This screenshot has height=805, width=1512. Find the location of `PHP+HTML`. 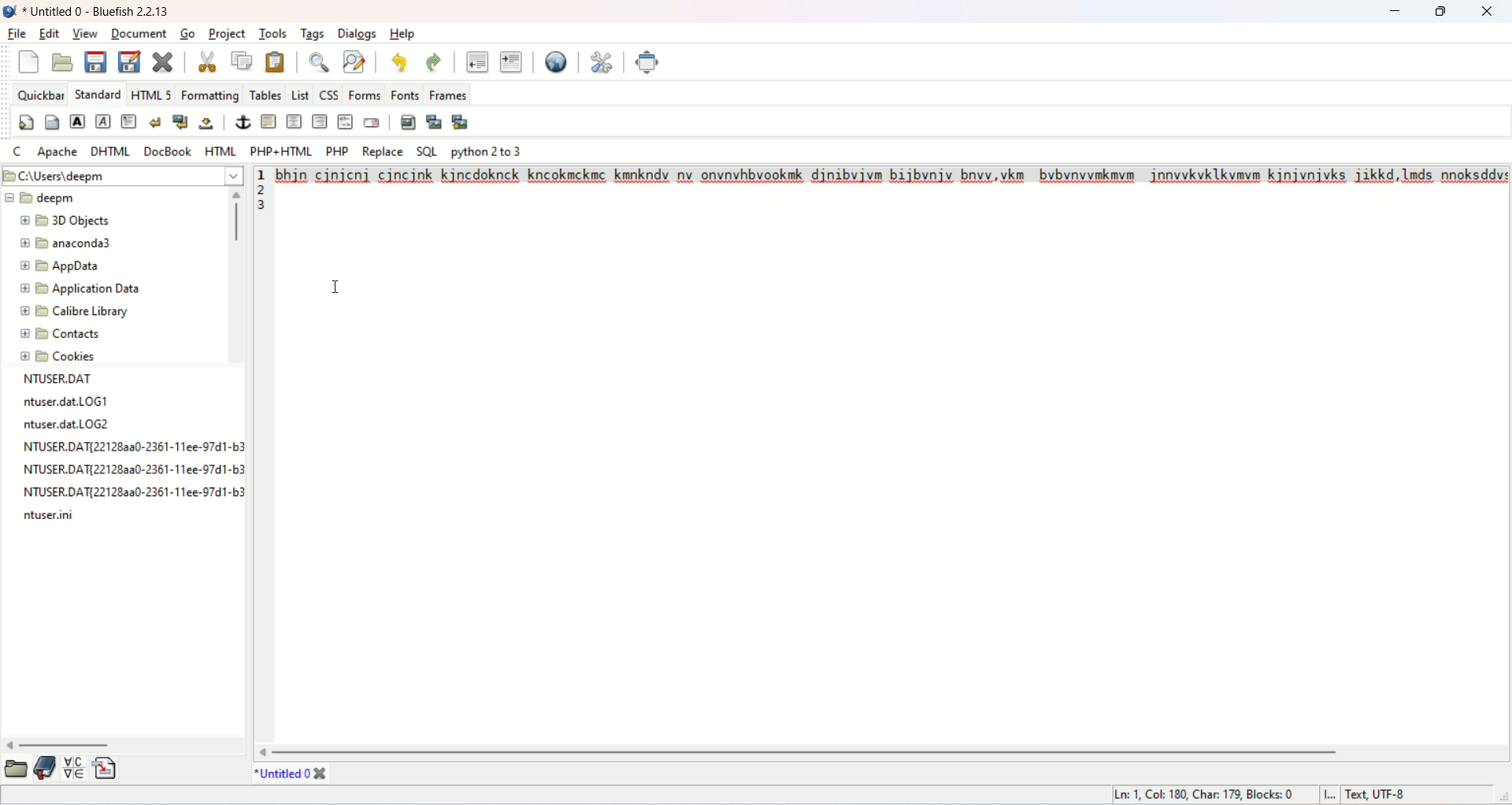

PHP+HTML is located at coordinates (282, 151).